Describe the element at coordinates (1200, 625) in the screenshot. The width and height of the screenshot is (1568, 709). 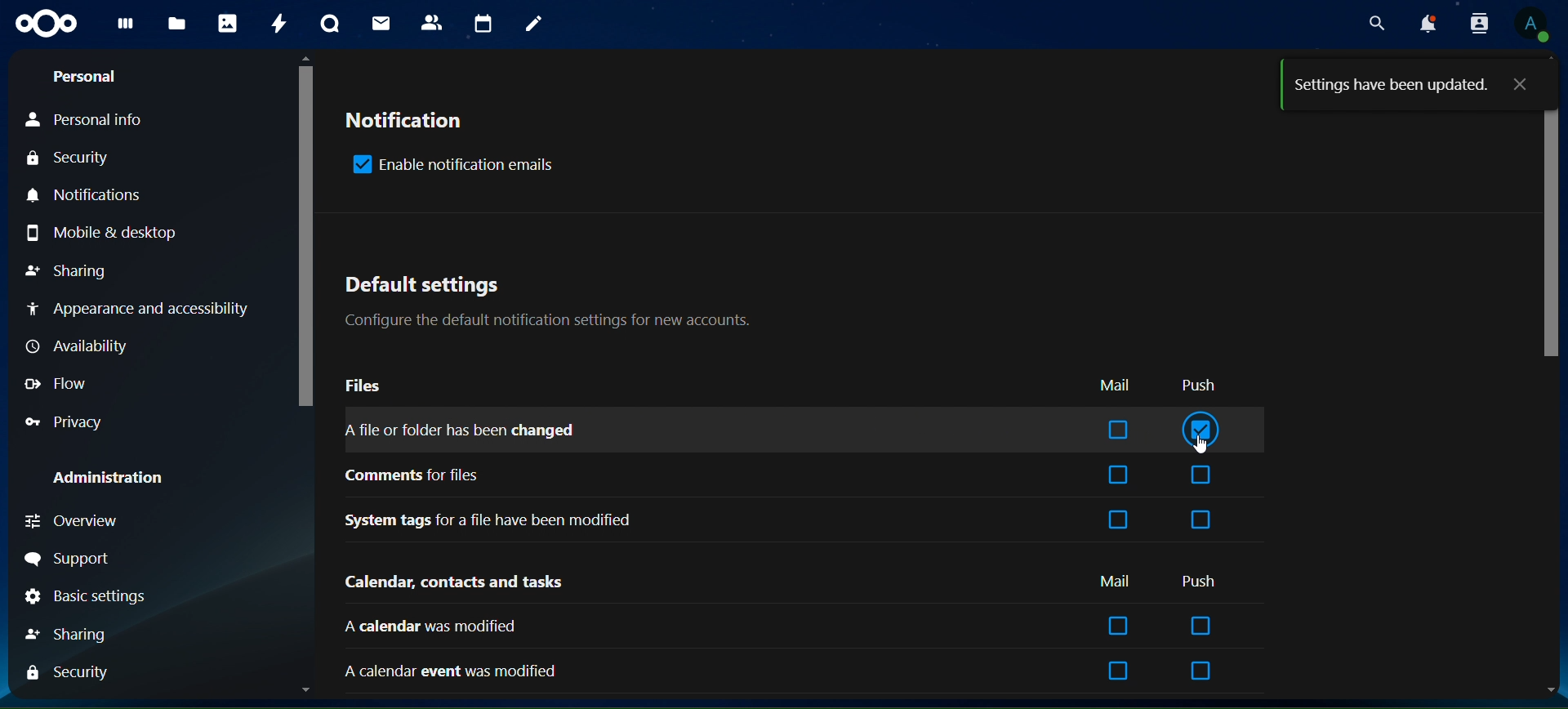
I see `box` at that location.